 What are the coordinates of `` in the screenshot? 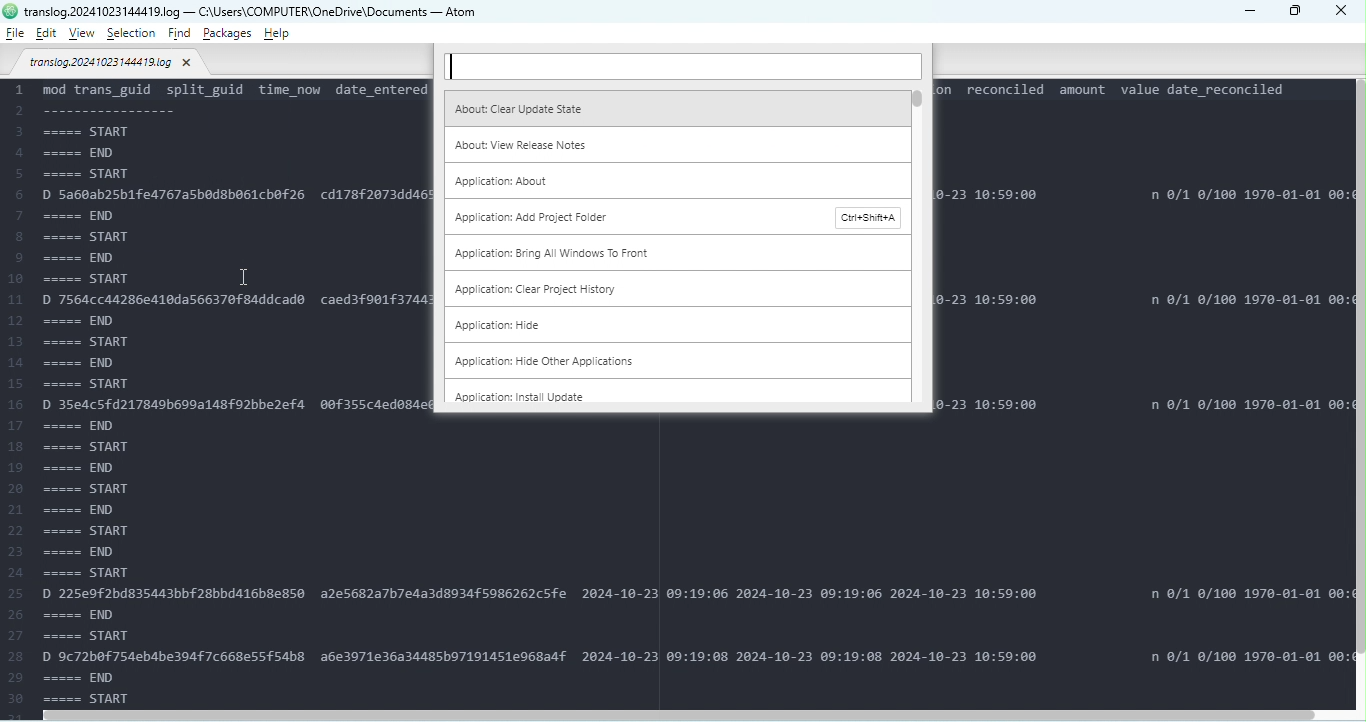 It's located at (10, 11).